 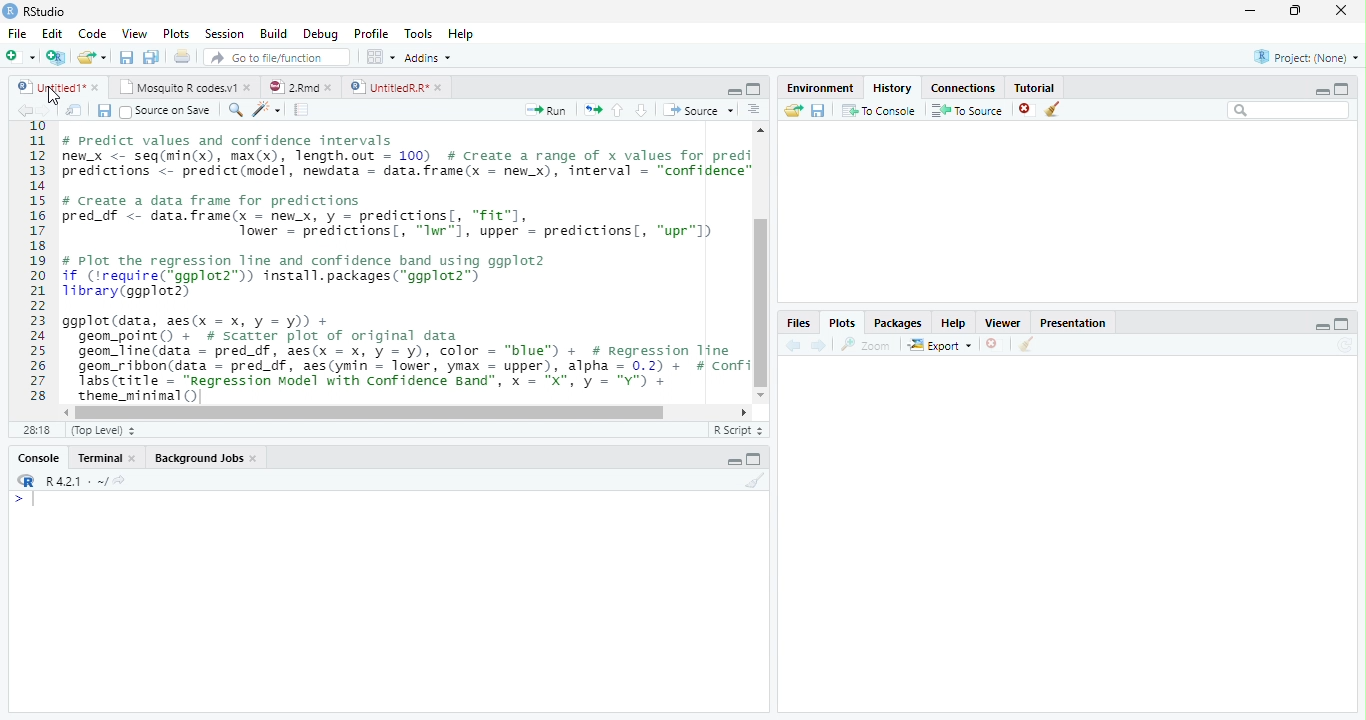 What do you see at coordinates (964, 112) in the screenshot?
I see `To Source` at bounding box center [964, 112].